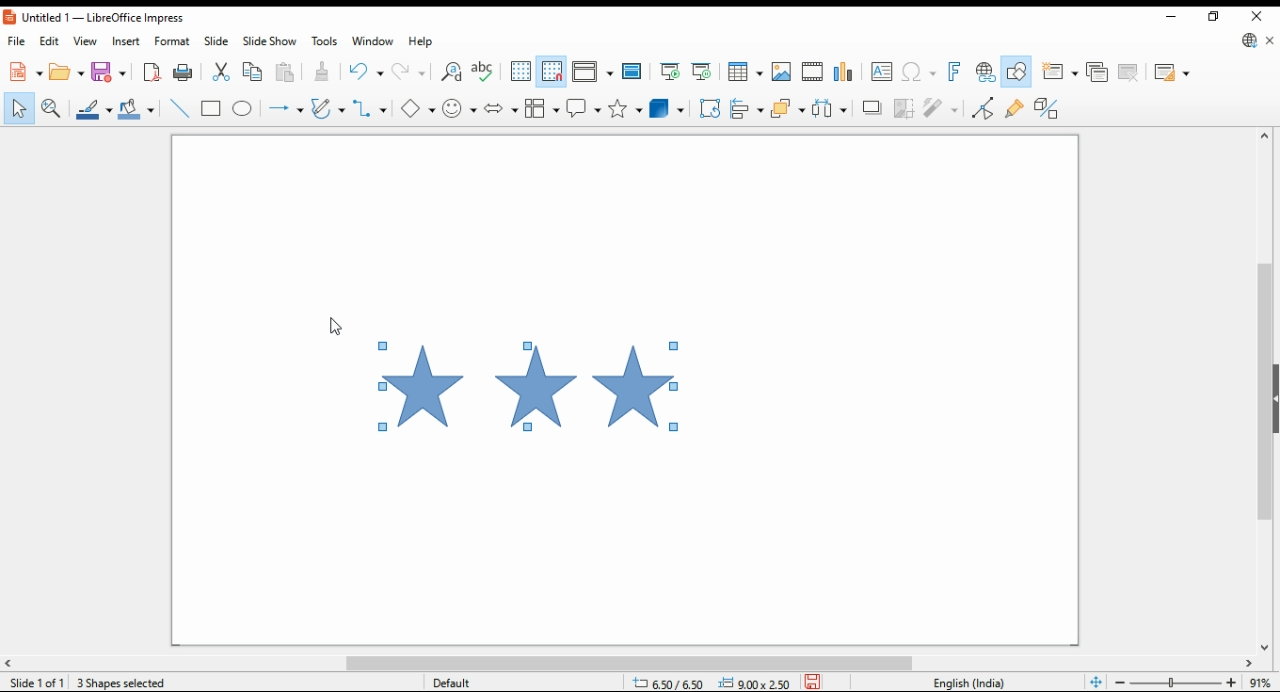 The height and width of the screenshot is (692, 1280). Describe the element at coordinates (335, 326) in the screenshot. I see `cursor` at that location.